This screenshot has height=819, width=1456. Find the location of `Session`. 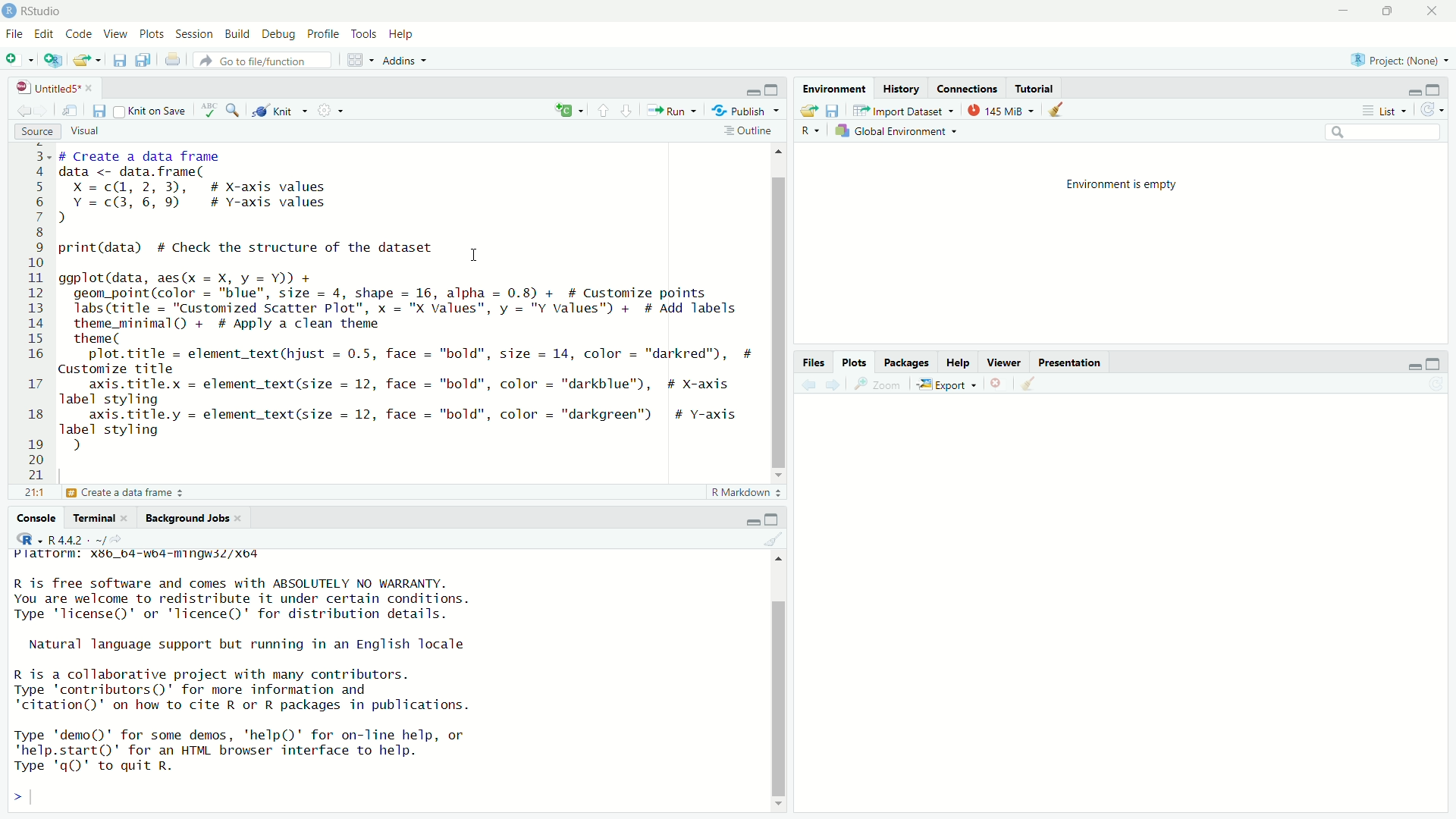

Session is located at coordinates (196, 36).